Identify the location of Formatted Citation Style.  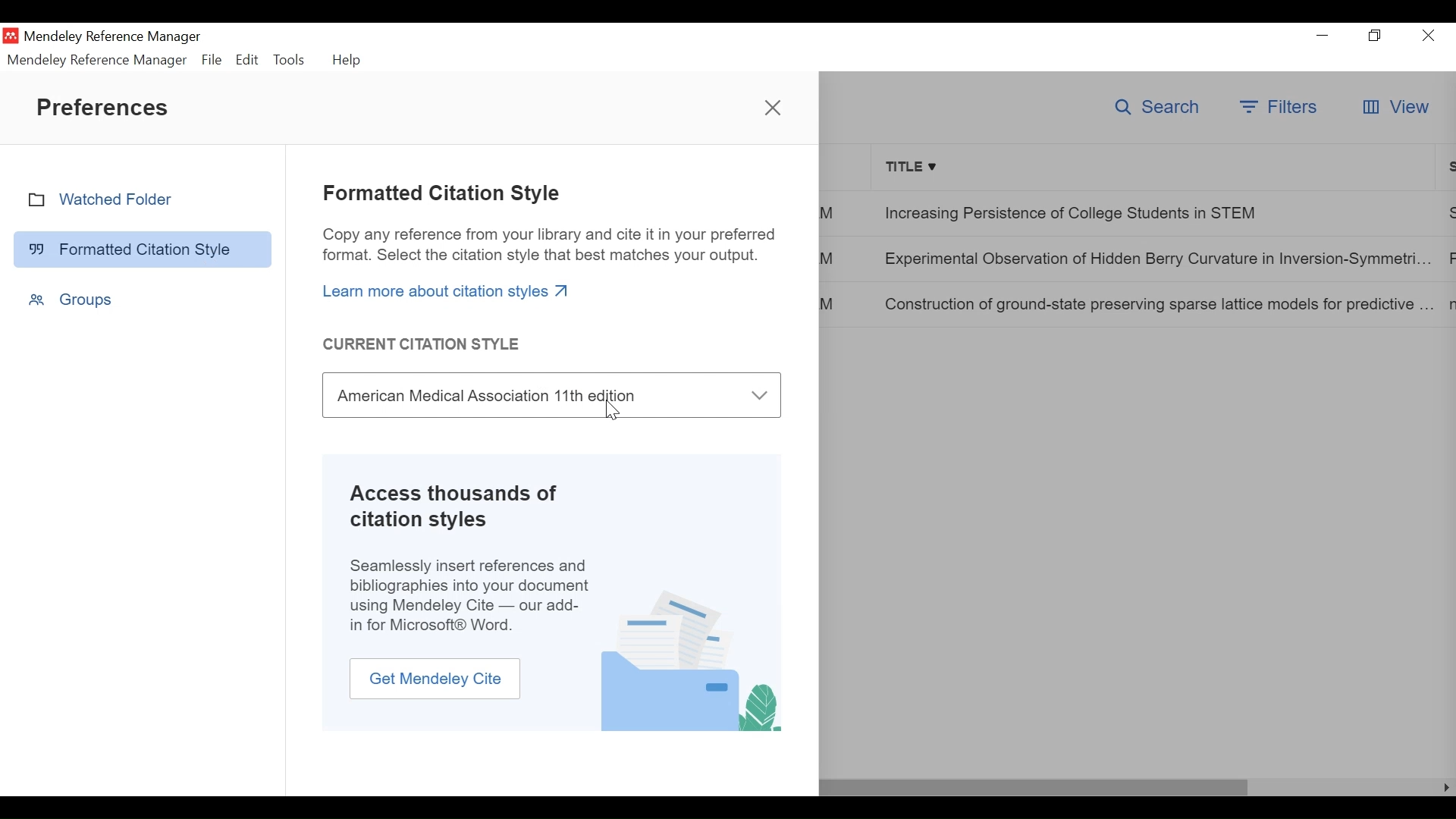
(443, 194).